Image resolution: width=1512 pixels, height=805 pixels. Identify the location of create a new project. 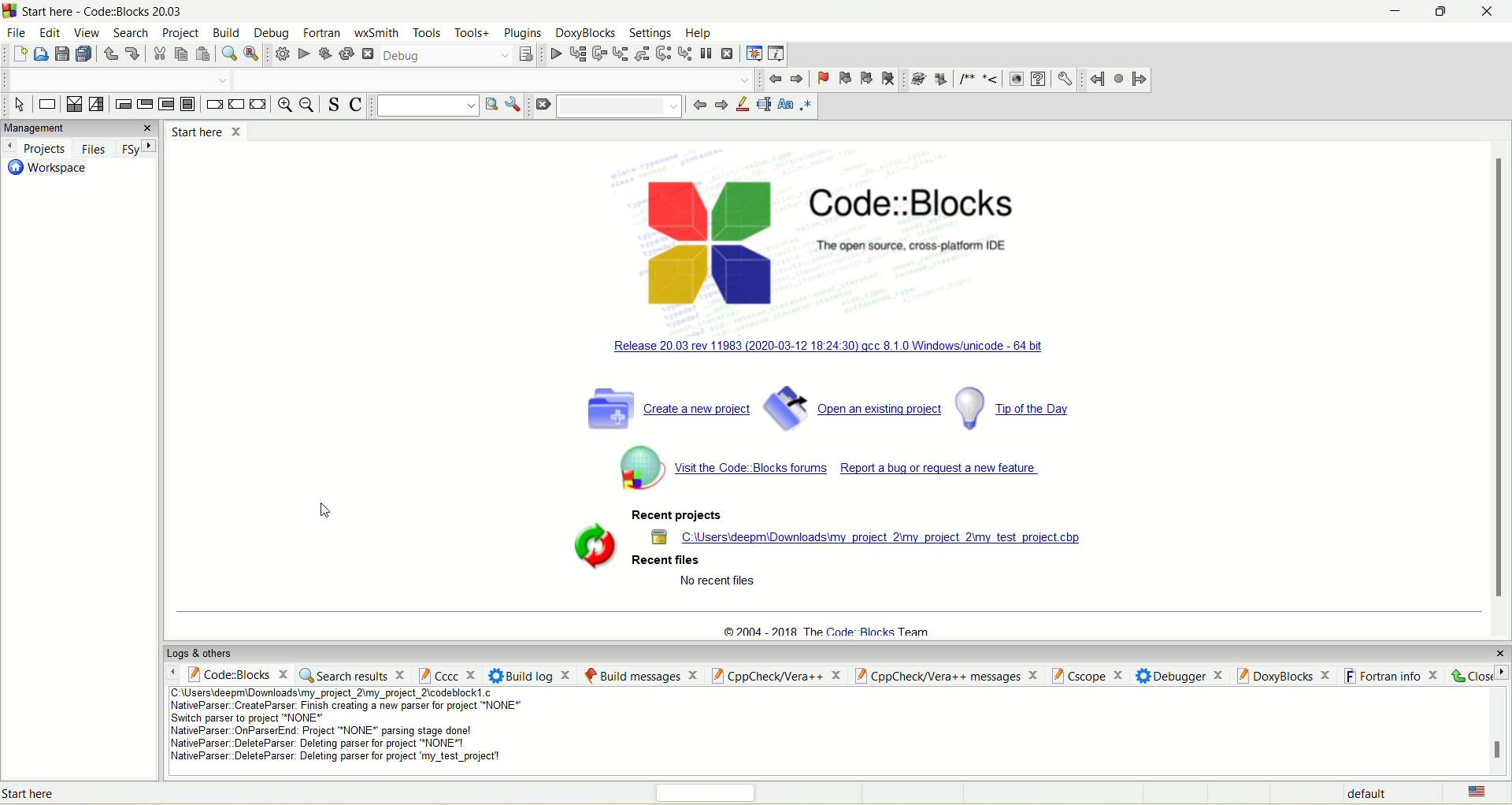
(673, 408).